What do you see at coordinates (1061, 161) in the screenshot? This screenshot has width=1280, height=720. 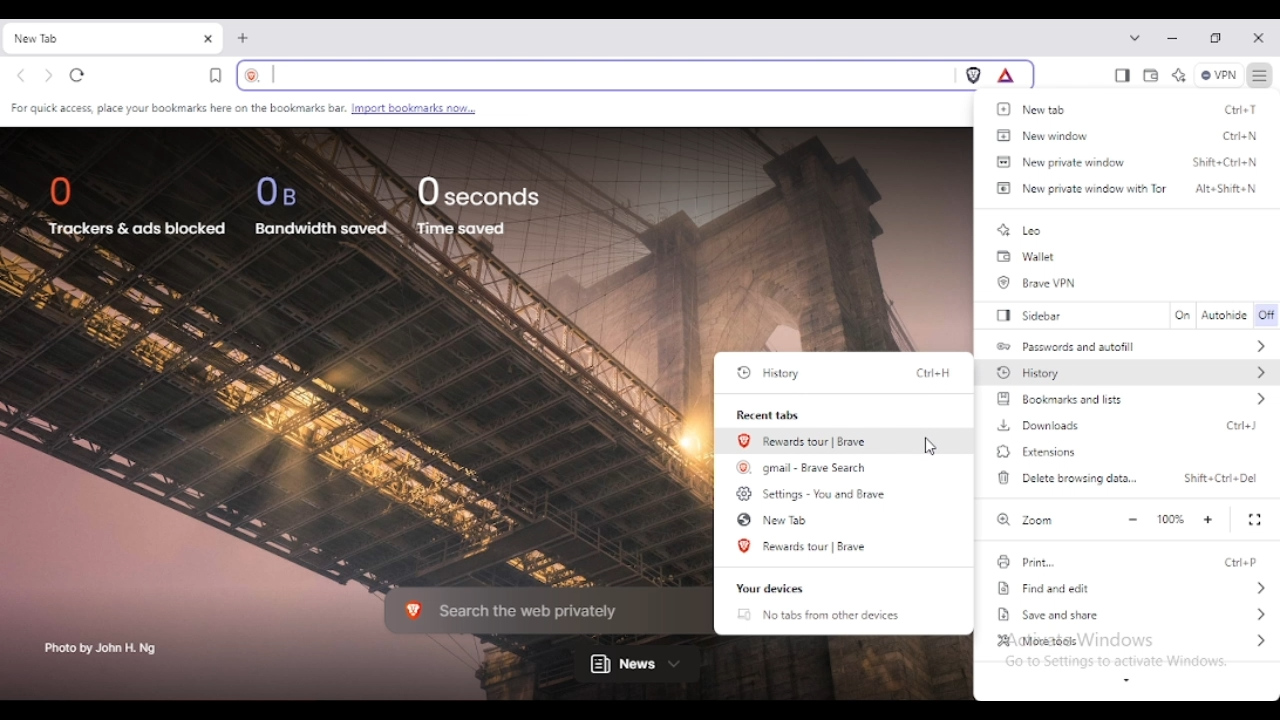 I see `new private window` at bounding box center [1061, 161].